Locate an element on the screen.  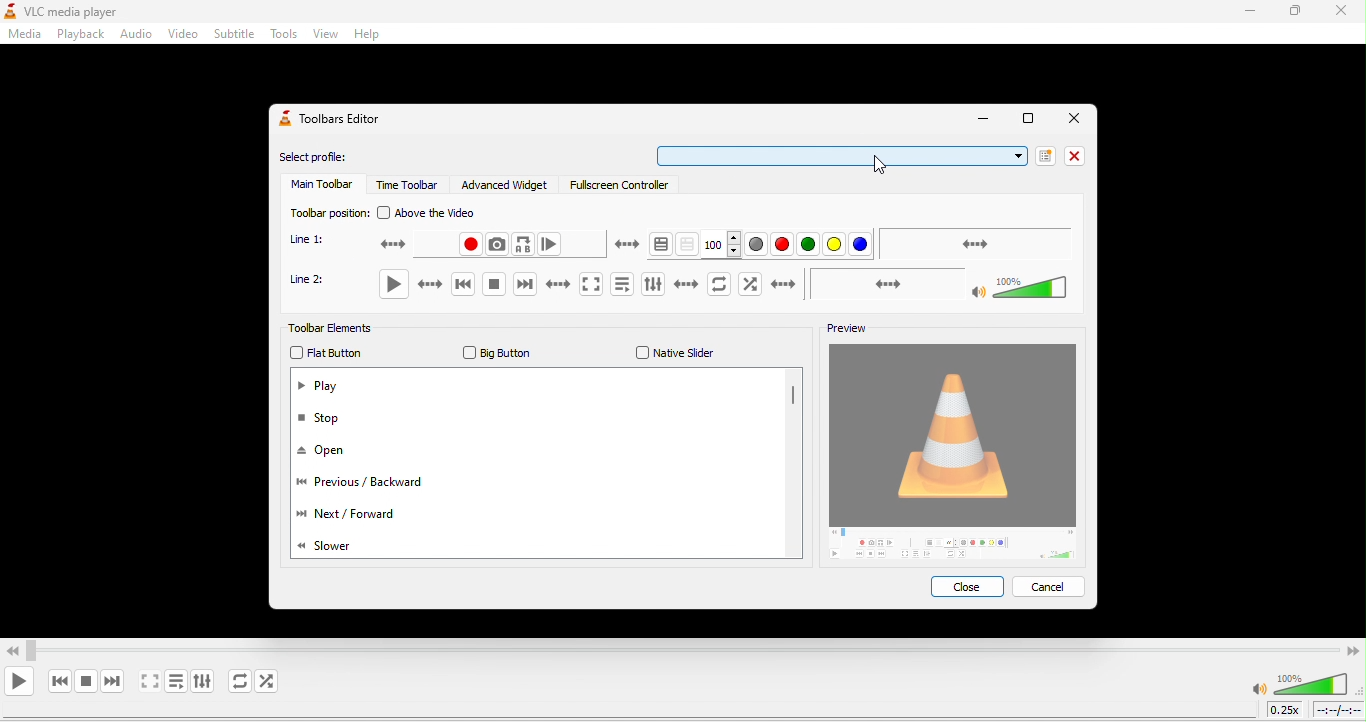
random is located at coordinates (274, 683).